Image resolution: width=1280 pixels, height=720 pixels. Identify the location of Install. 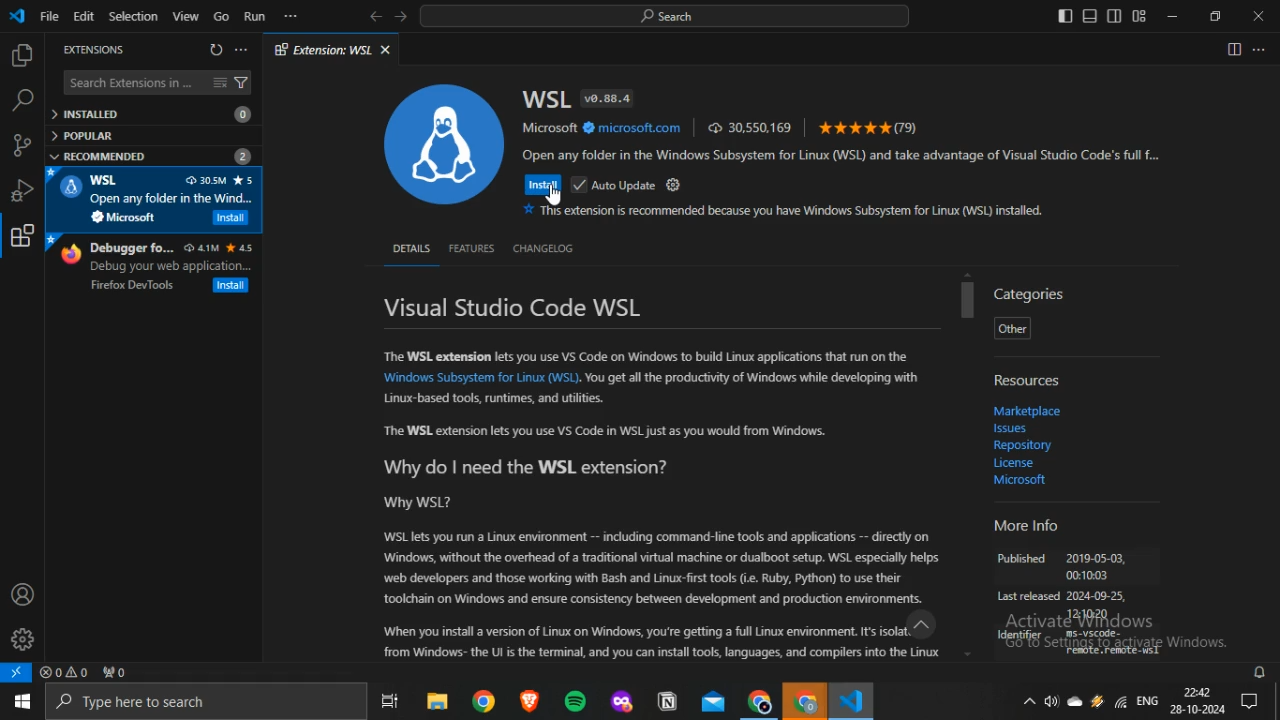
(232, 285).